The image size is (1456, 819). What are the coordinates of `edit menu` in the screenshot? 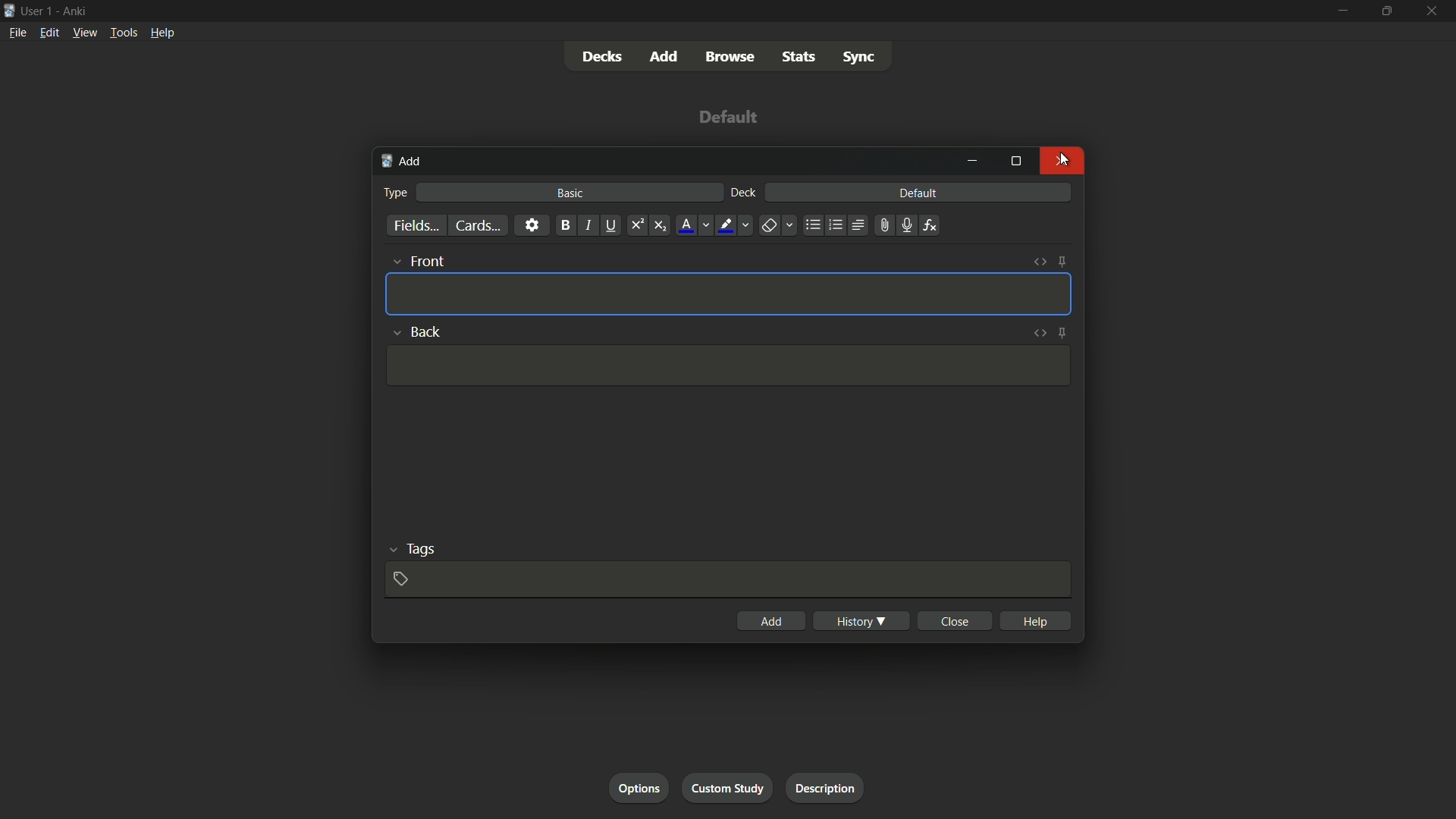 It's located at (52, 32).